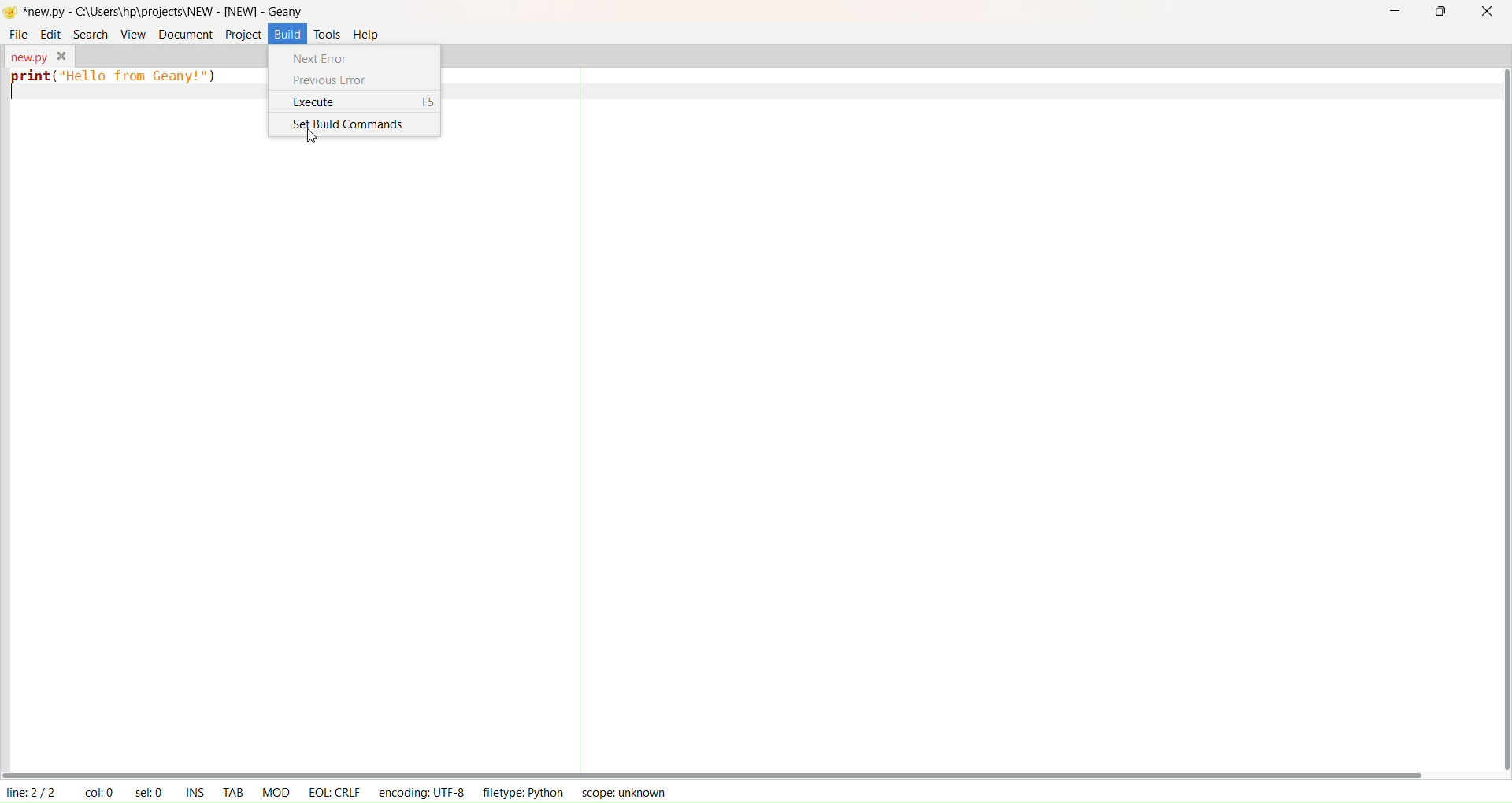 Image resolution: width=1512 pixels, height=803 pixels. What do you see at coordinates (98, 792) in the screenshot?
I see `col: 0` at bounding box center [98, 792].